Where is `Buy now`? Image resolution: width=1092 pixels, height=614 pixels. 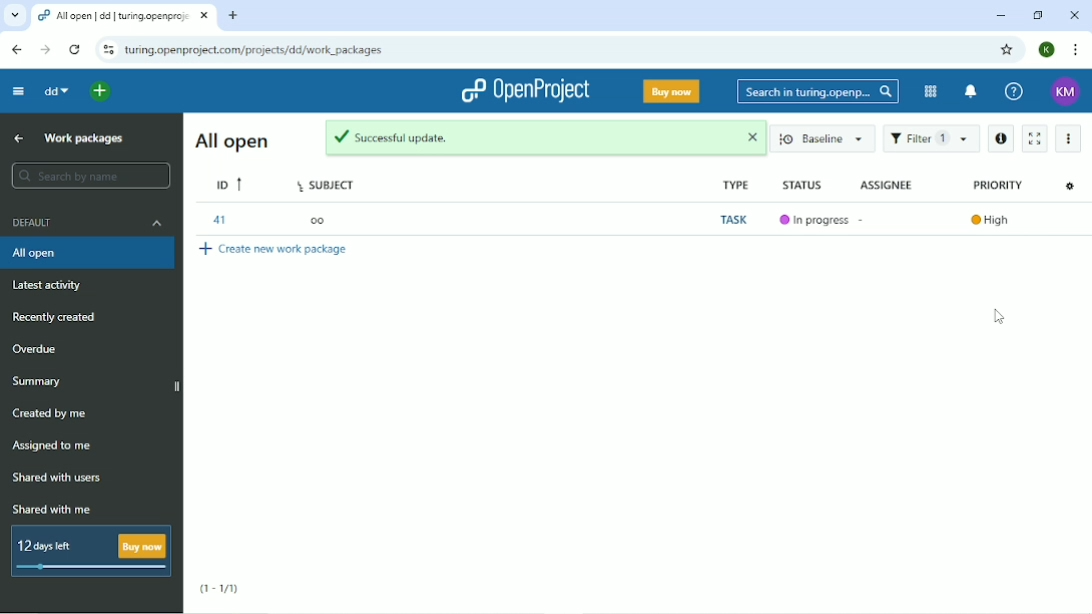 Buy now is located at coordinates (671, 90).